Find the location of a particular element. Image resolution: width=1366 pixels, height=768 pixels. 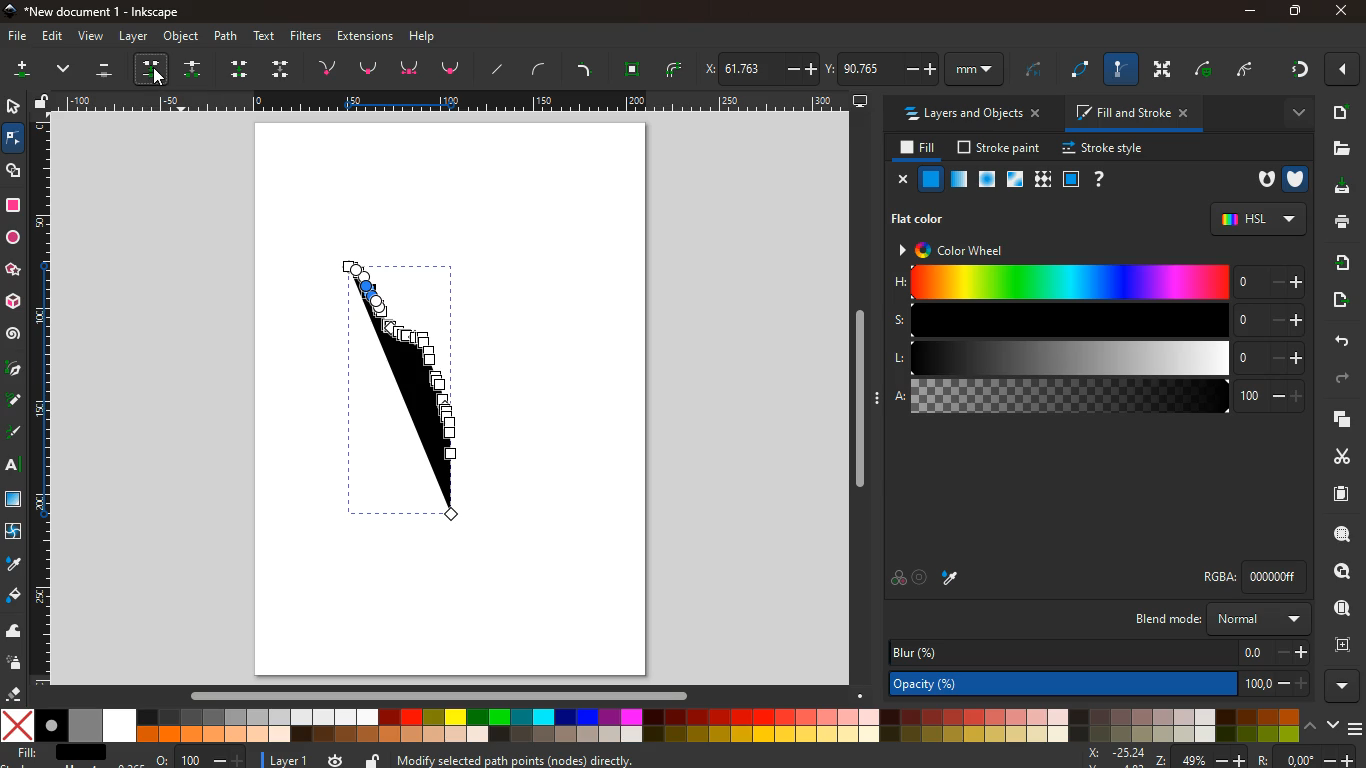

s is located at coordinates (1096, 320).